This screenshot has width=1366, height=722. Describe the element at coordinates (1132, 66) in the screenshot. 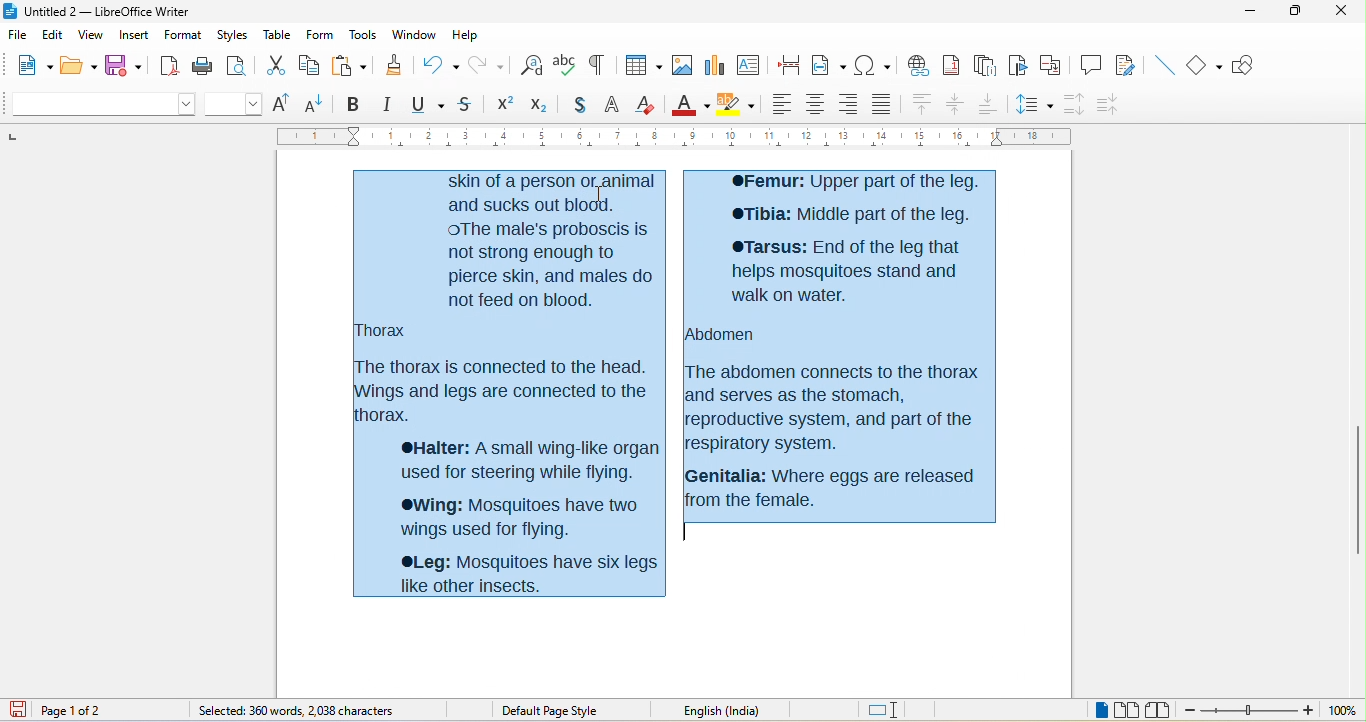

I see `show track` at that location.